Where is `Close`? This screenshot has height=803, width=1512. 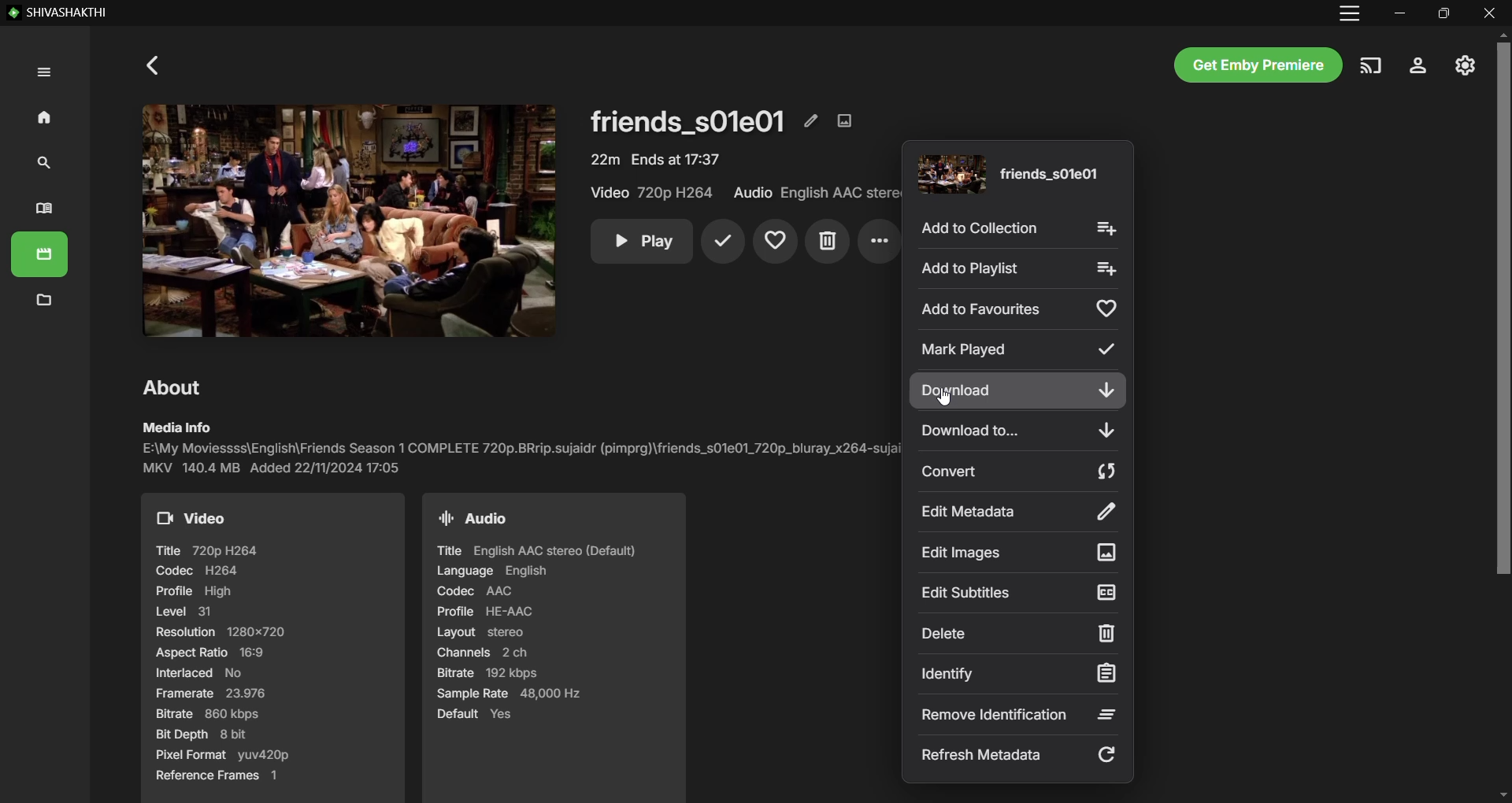 Close is located at coordinates (1490, 13).